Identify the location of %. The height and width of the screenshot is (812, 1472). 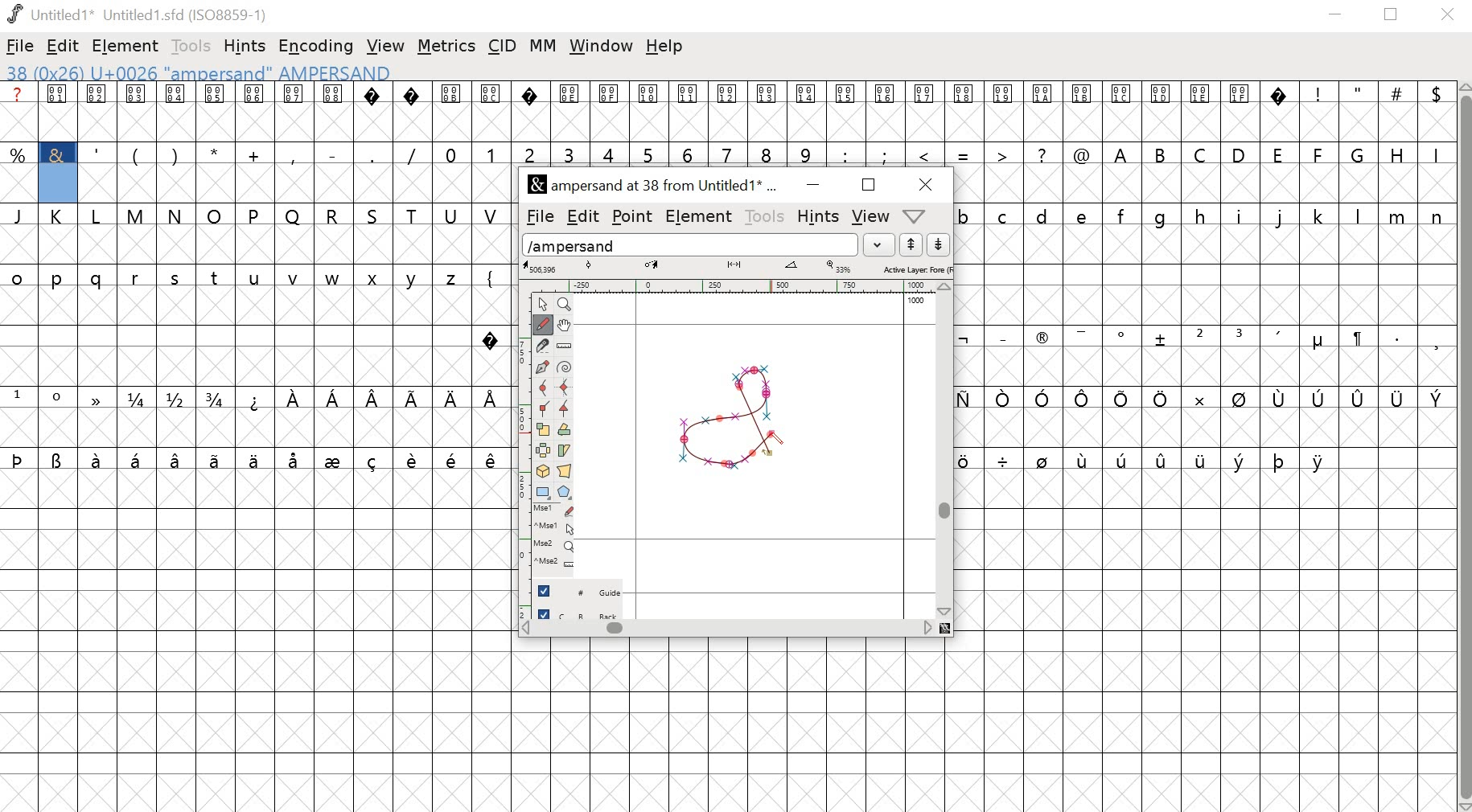
(19, 154).